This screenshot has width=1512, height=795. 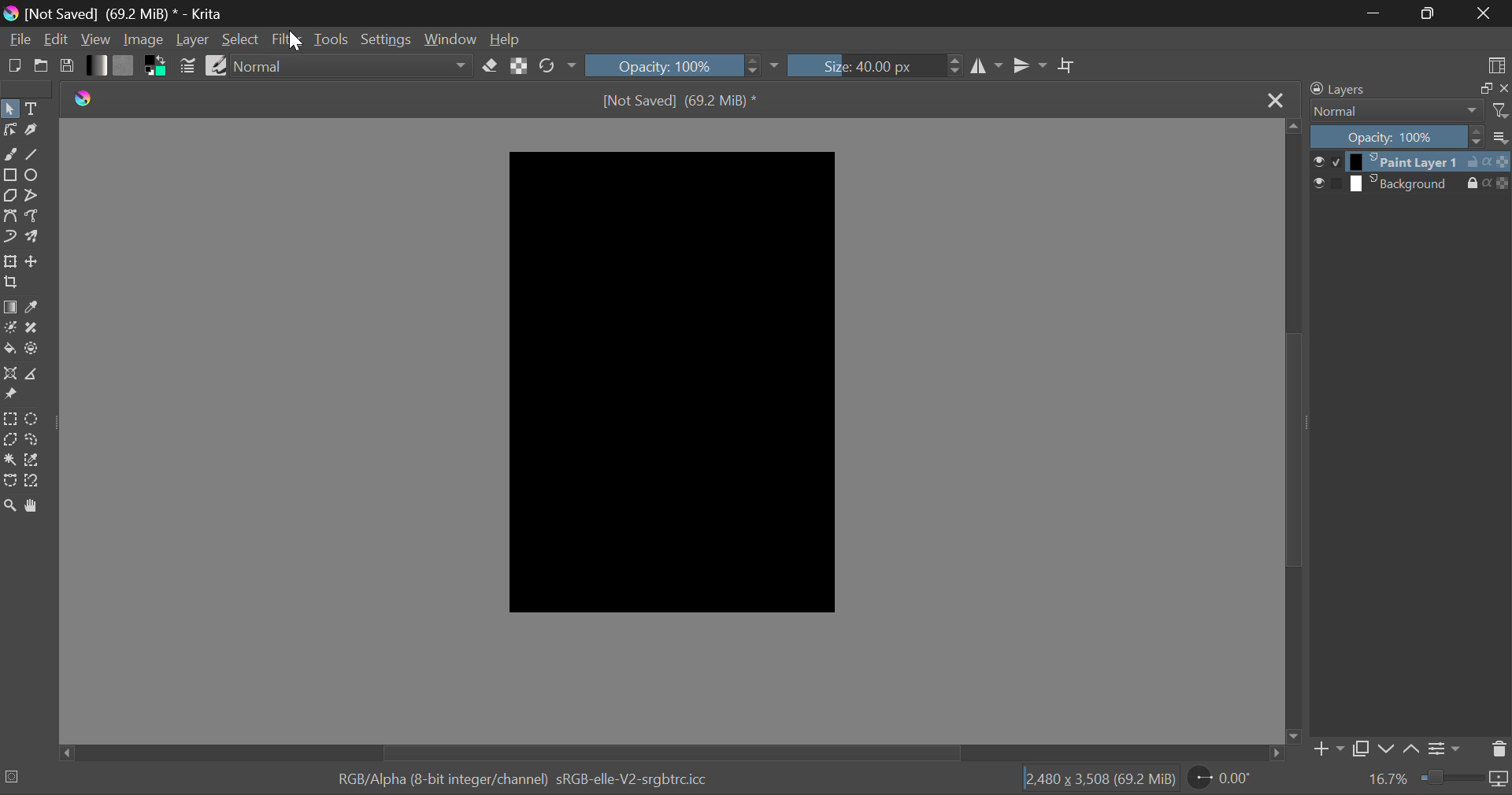 What do you see at coordinates (1466, 782) in the screenshot?
I see `Zoom` at bounding box center [1466, 782].